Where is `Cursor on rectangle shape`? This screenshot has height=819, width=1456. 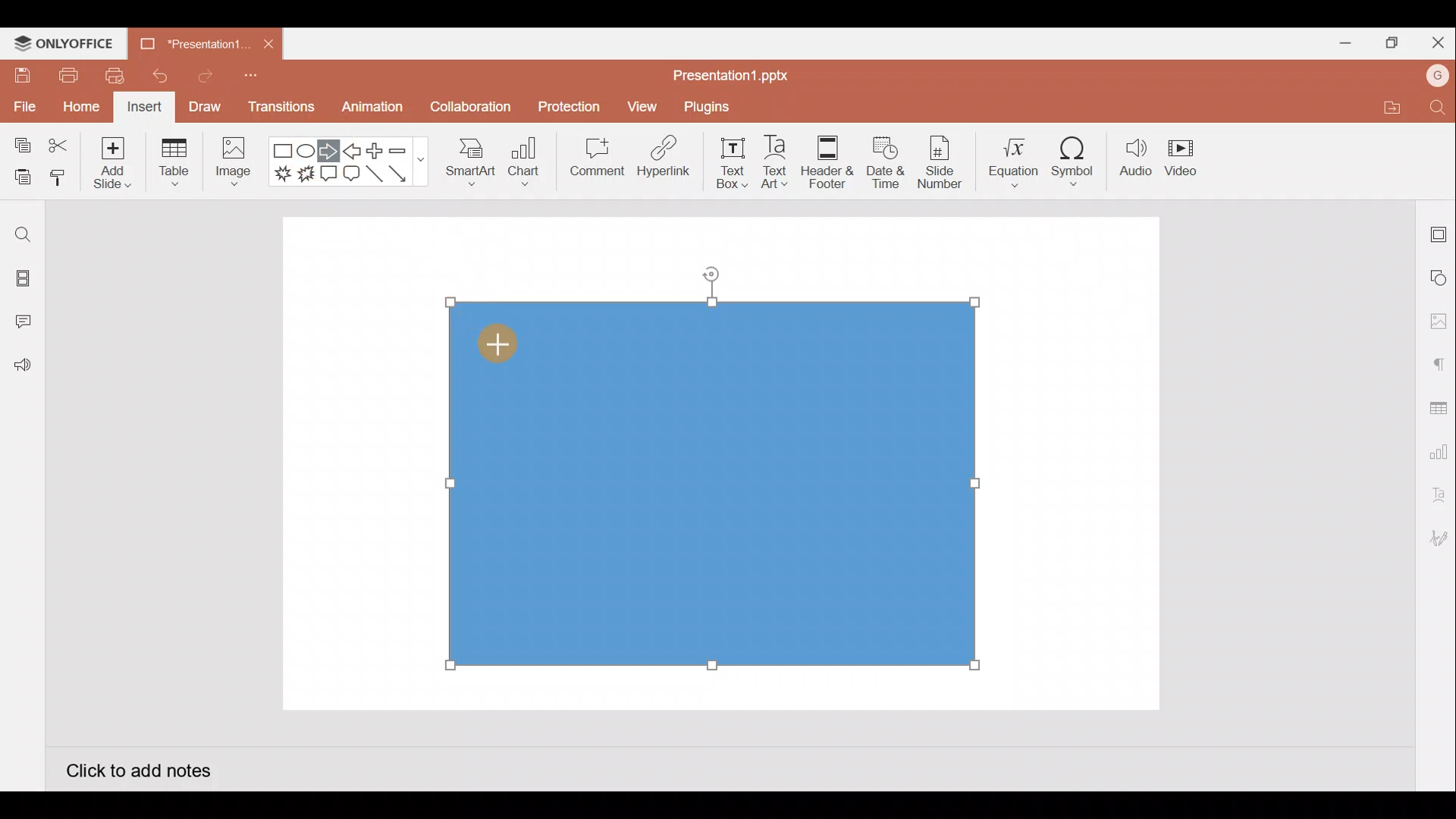
Cursor on rectangle shape is located at coordinates (504, 346).